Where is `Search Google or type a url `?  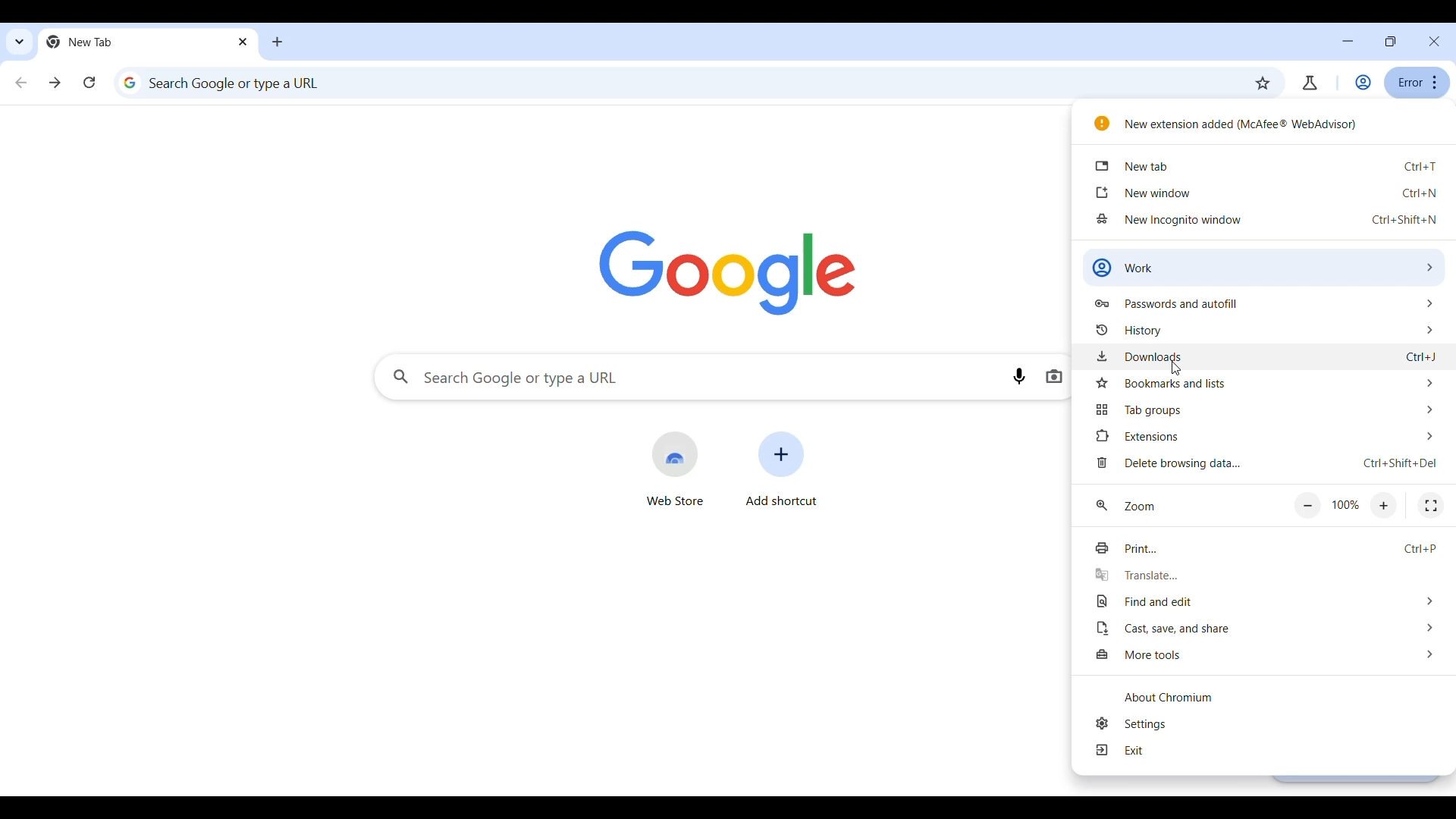
Search Google or type a url  is located at coordinates (691, 377).